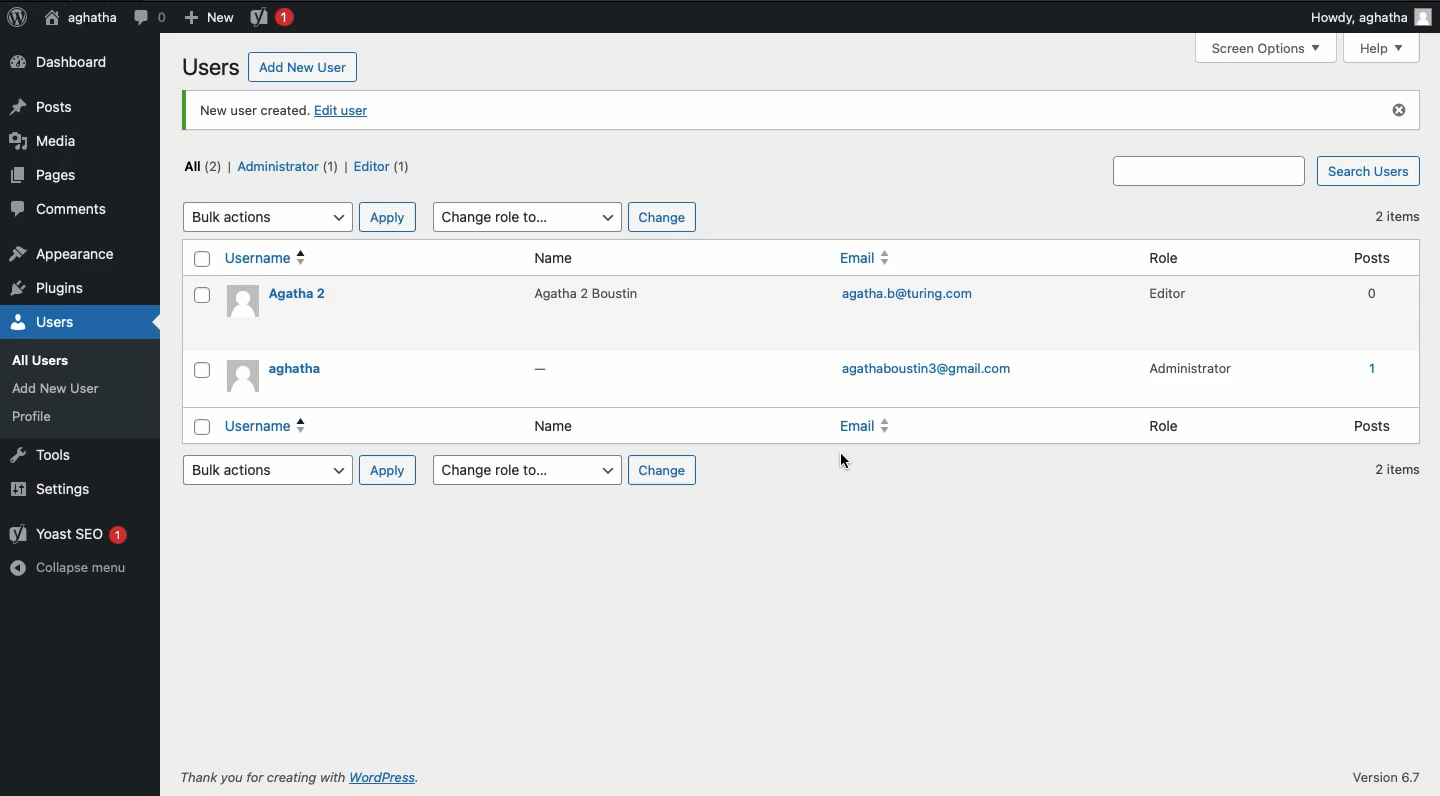 This screenshot has width=1440, height=796. What do you see at coordinates (42, 453) in the screenshot?
I see `Tools` at bounding box center [42, 453].